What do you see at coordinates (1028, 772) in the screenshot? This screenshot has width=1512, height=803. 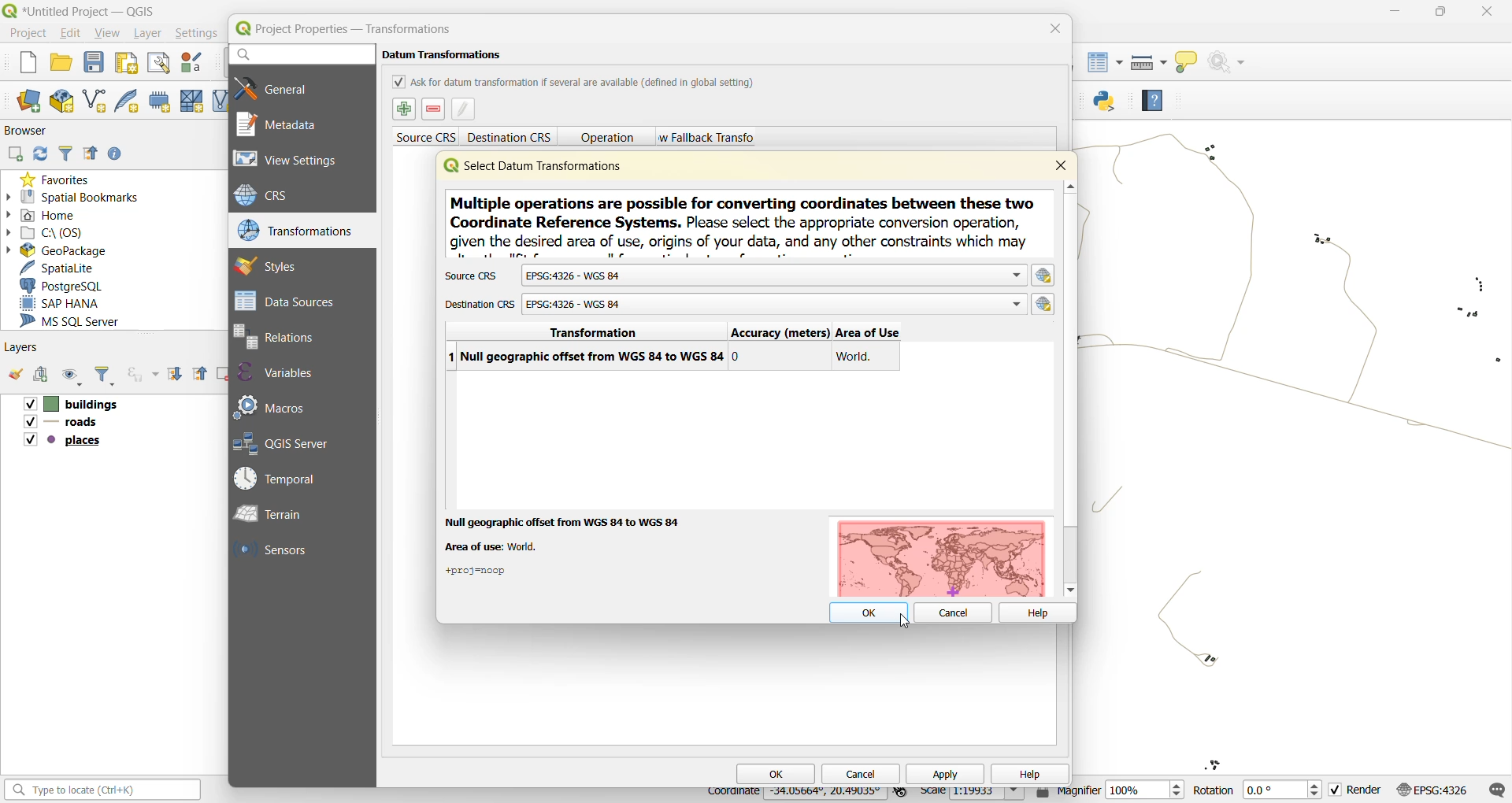 I see `help` at bounding box center [1028, 772].